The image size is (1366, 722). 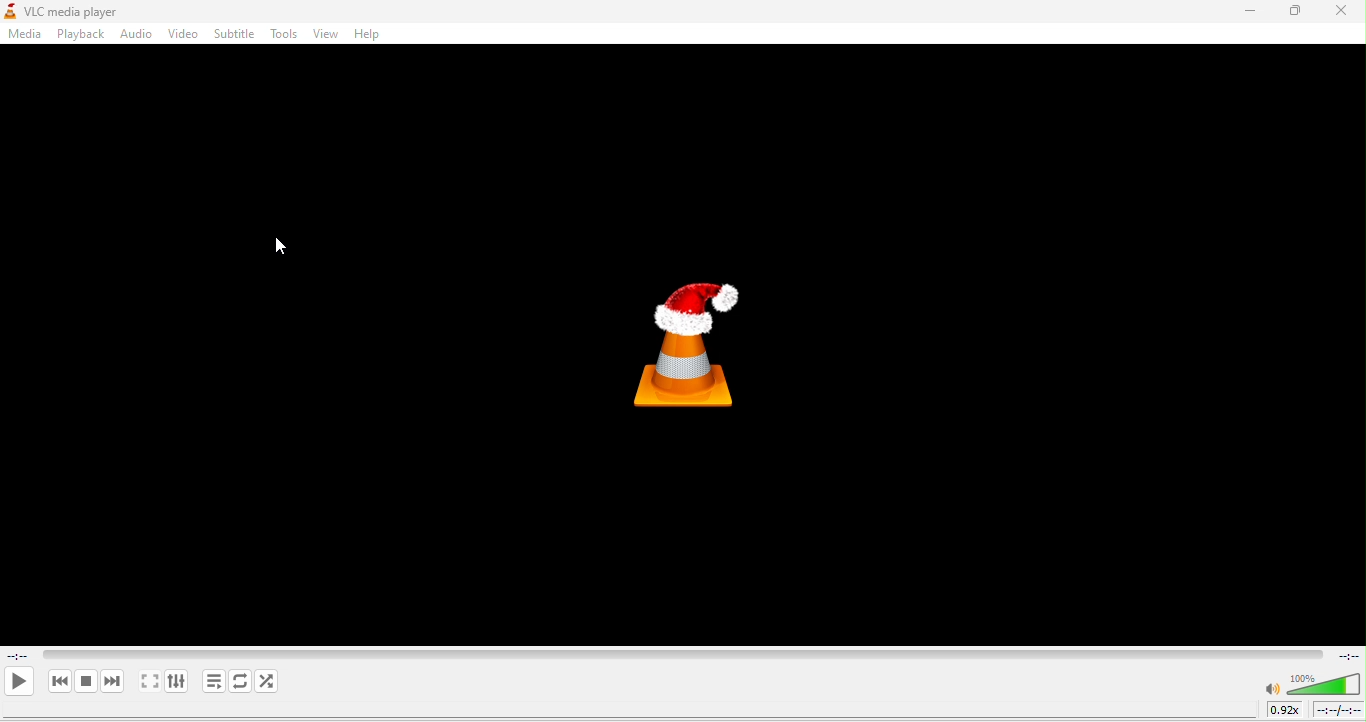 I want to click on play, so click(x=18, y=681).